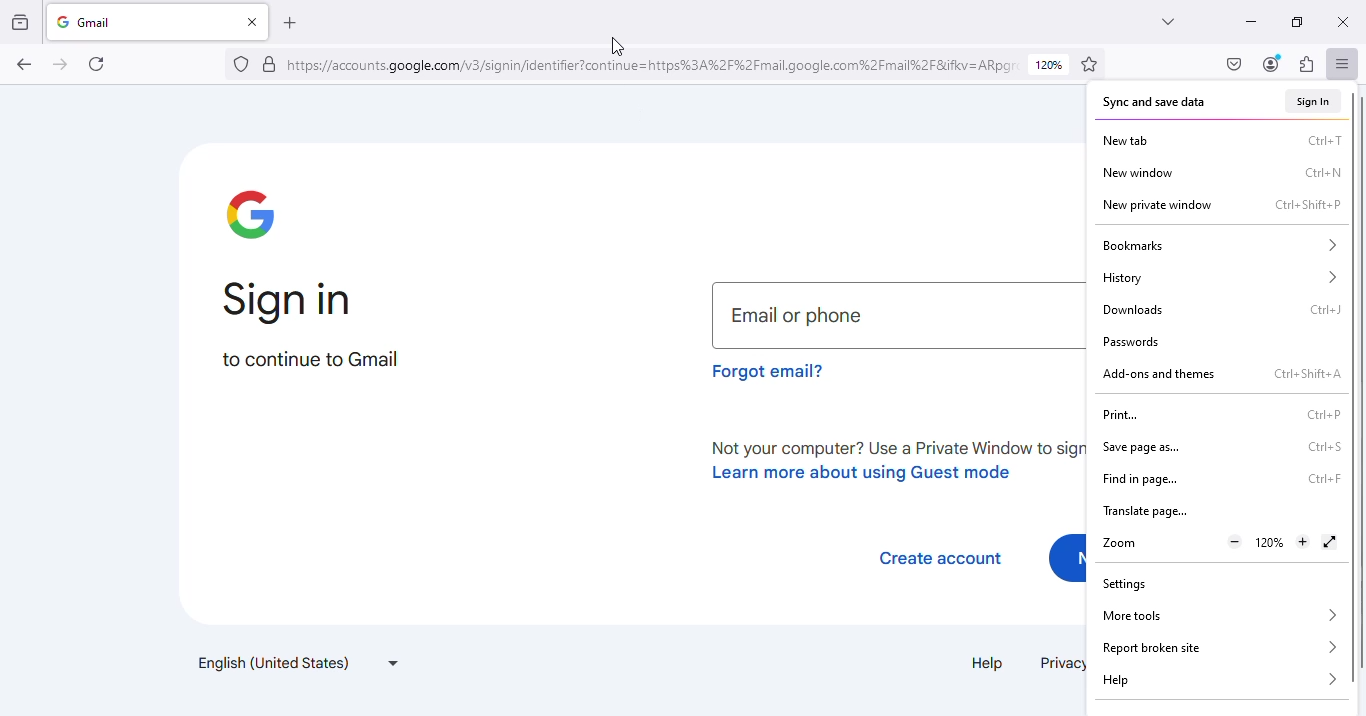 This screenshot has width=1366, height=716. What do you see at coordinates (1298, 22) in the screenshot?
I see `maximize` at bounding box center [1298, 22].